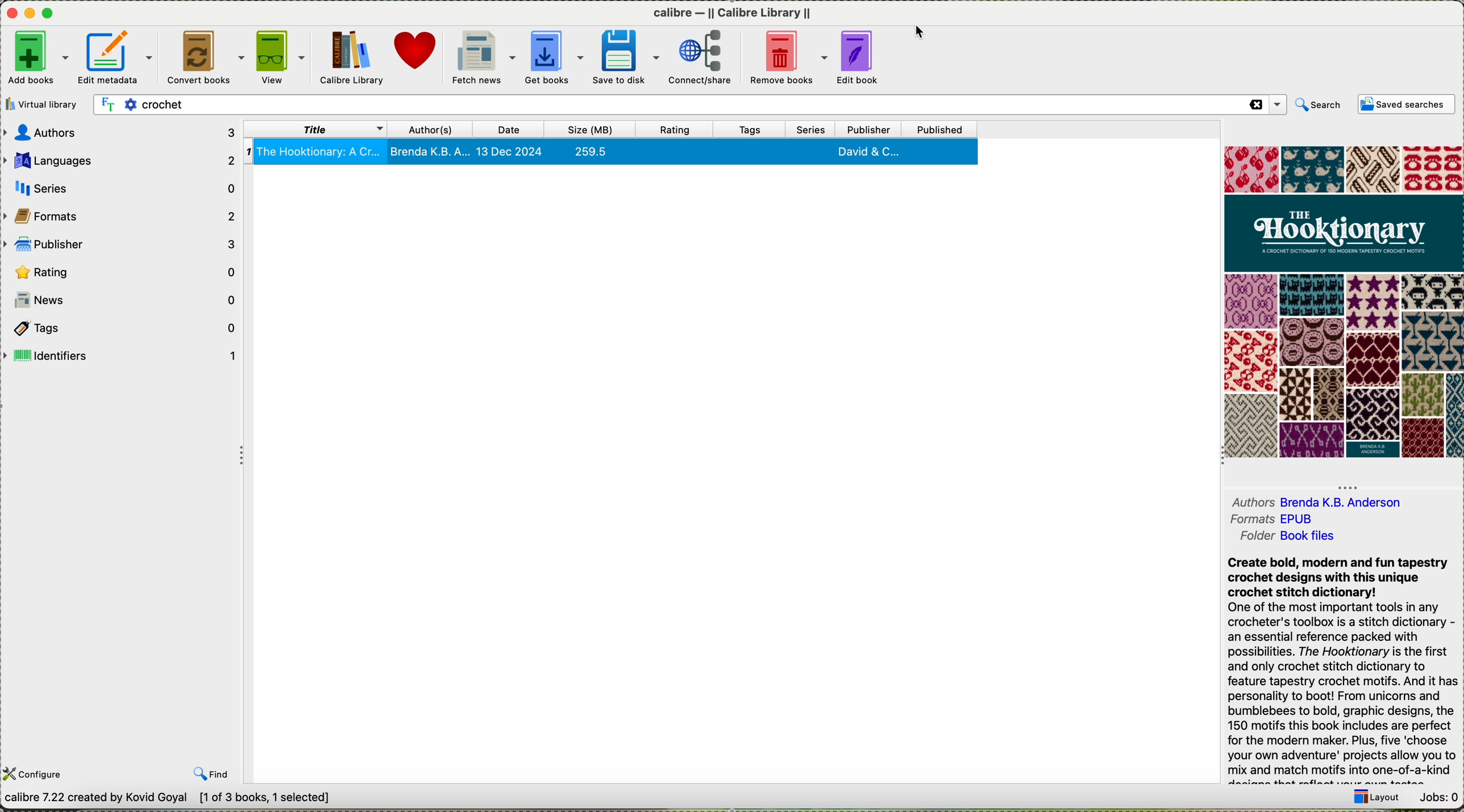  What do you see at coordinates (702, 56) in the screenshot?
I see `connect/share` at bounding box center [702, 56].